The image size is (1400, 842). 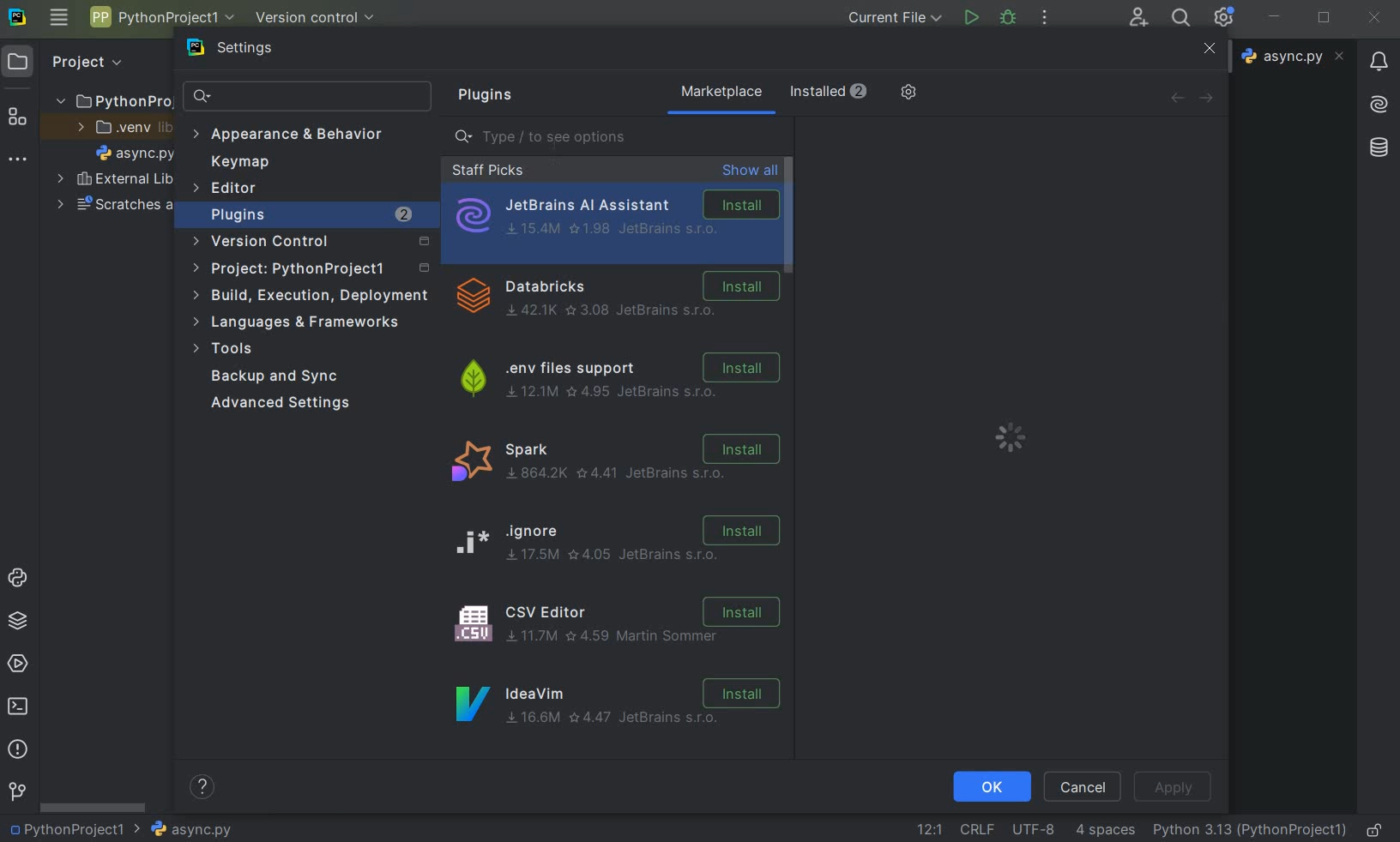 I want to click on indent, so click(x=1107, y=832).